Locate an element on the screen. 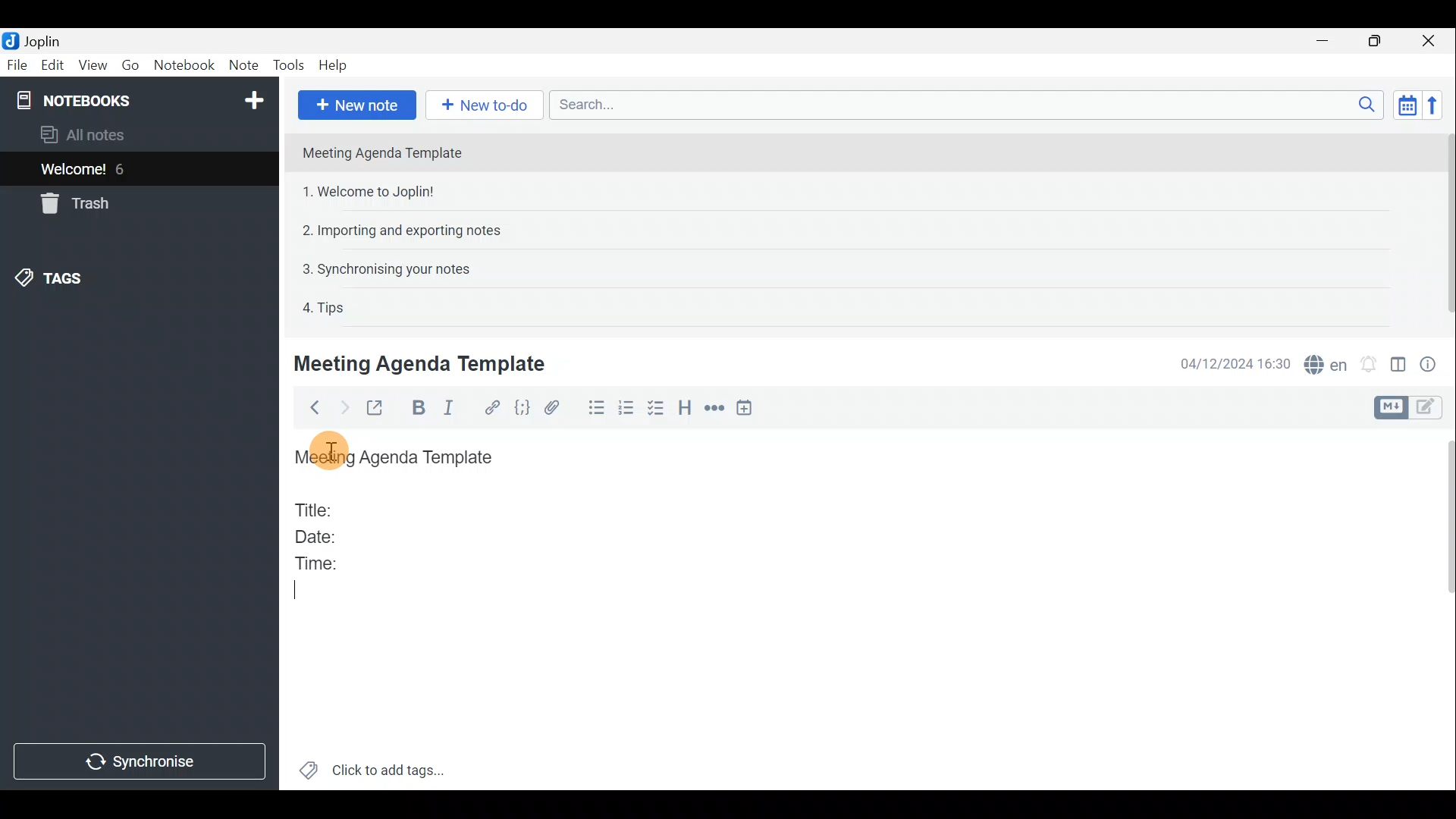  Checkbox is located at coordinates (653, 409).